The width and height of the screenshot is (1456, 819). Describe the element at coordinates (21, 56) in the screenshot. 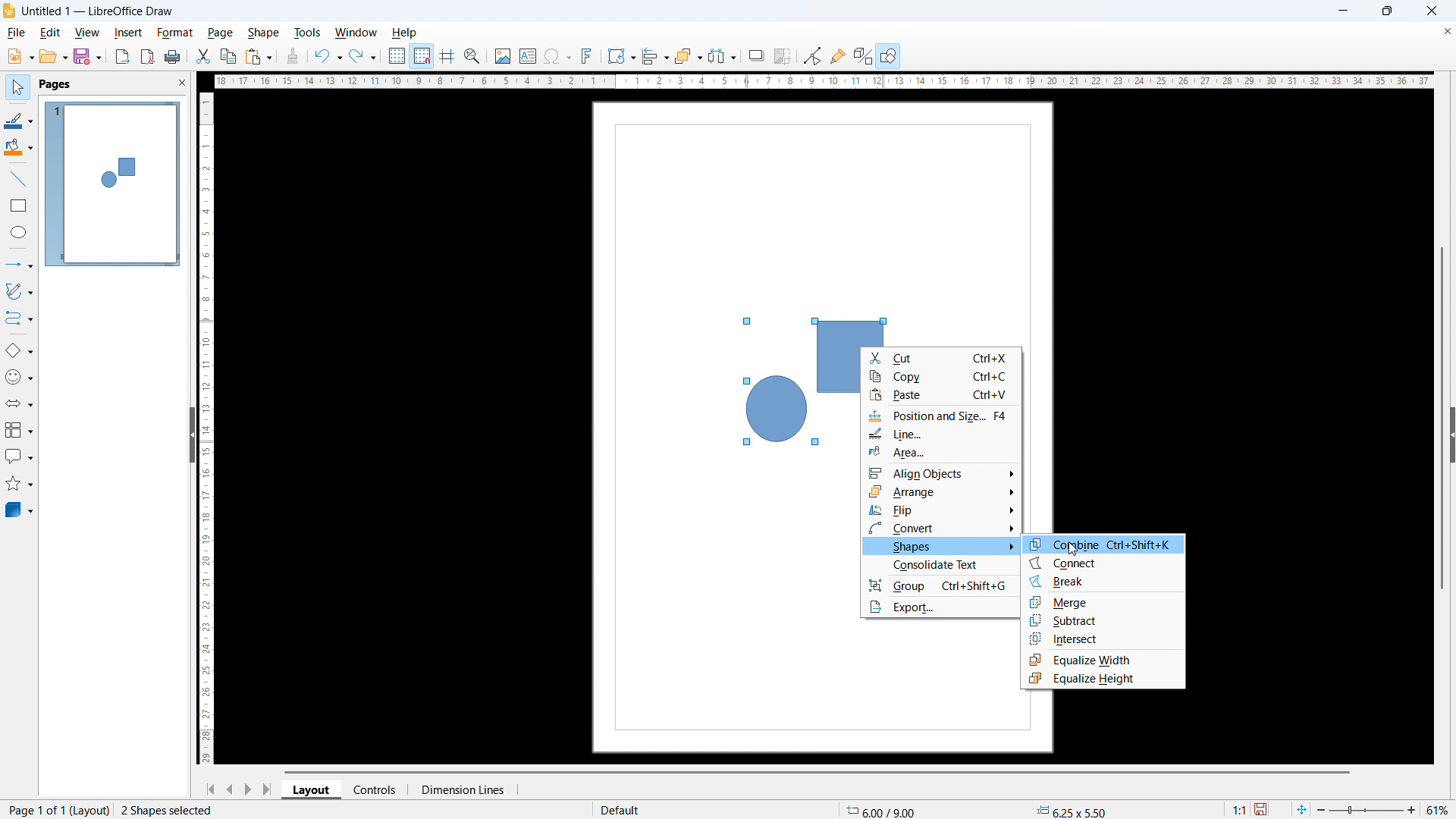

I see `new` at that location.